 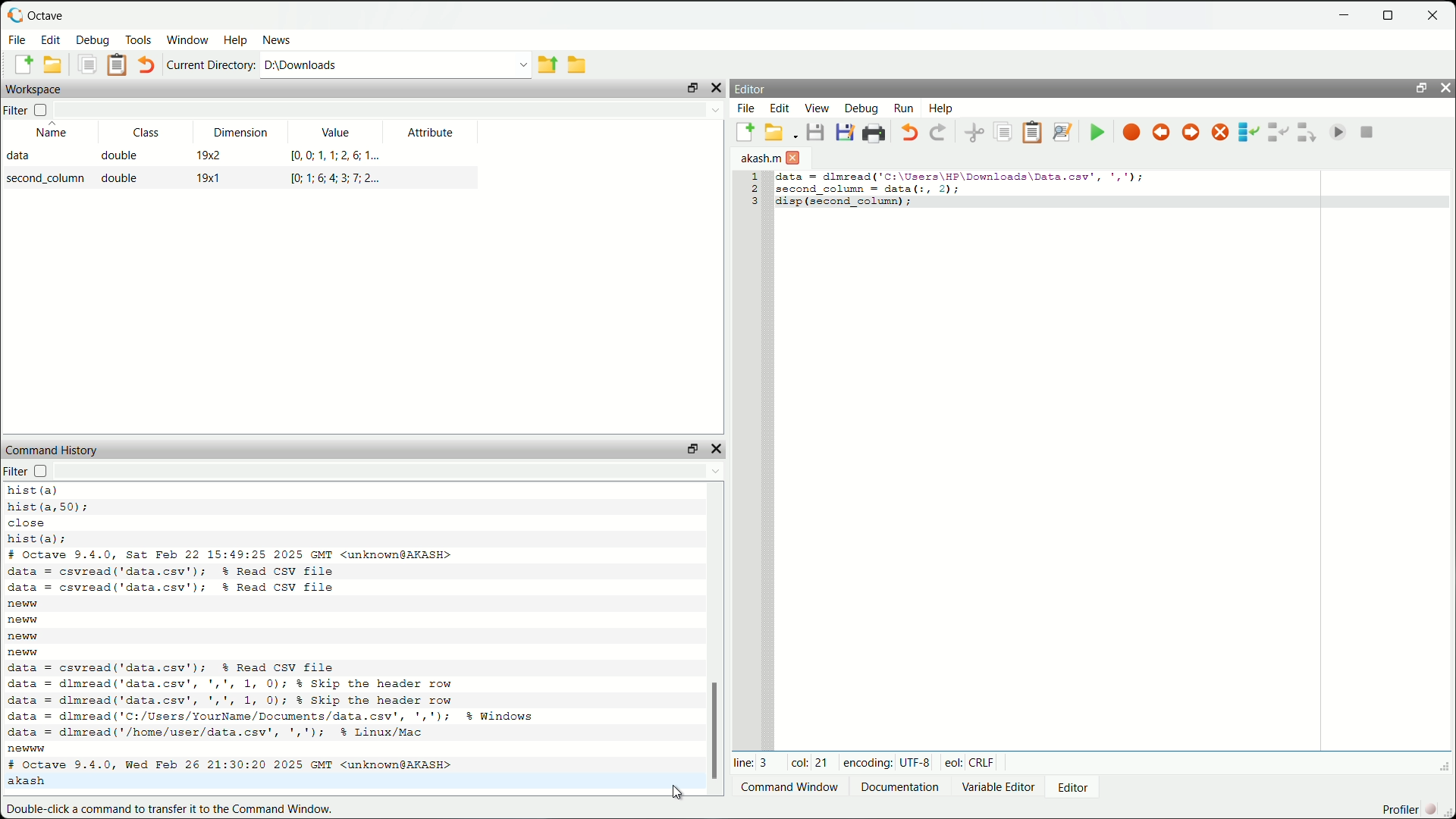 What do you see at coordinates (578, 64) in the screenshot?
I see `browse directories` at bounding box center [578, 64].